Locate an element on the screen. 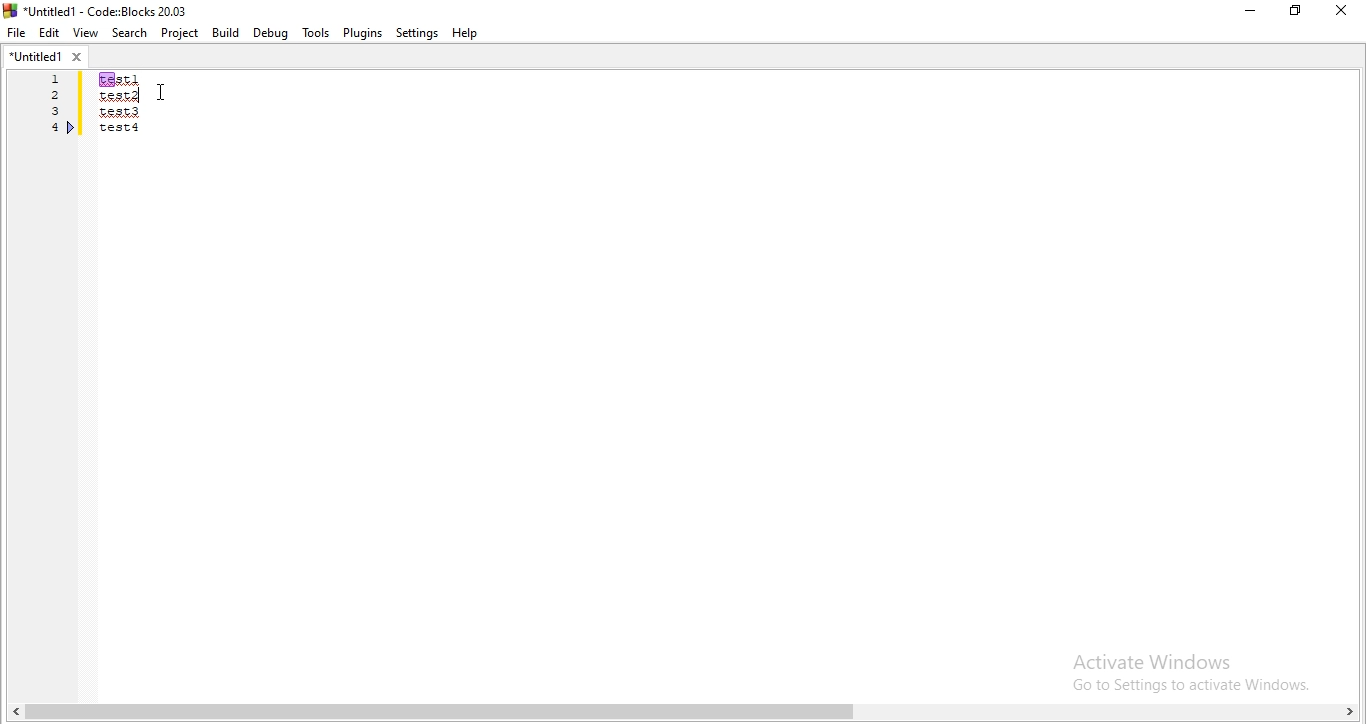 The image size is (1366, 724). Plugins  is located at coordinates (363, 33).